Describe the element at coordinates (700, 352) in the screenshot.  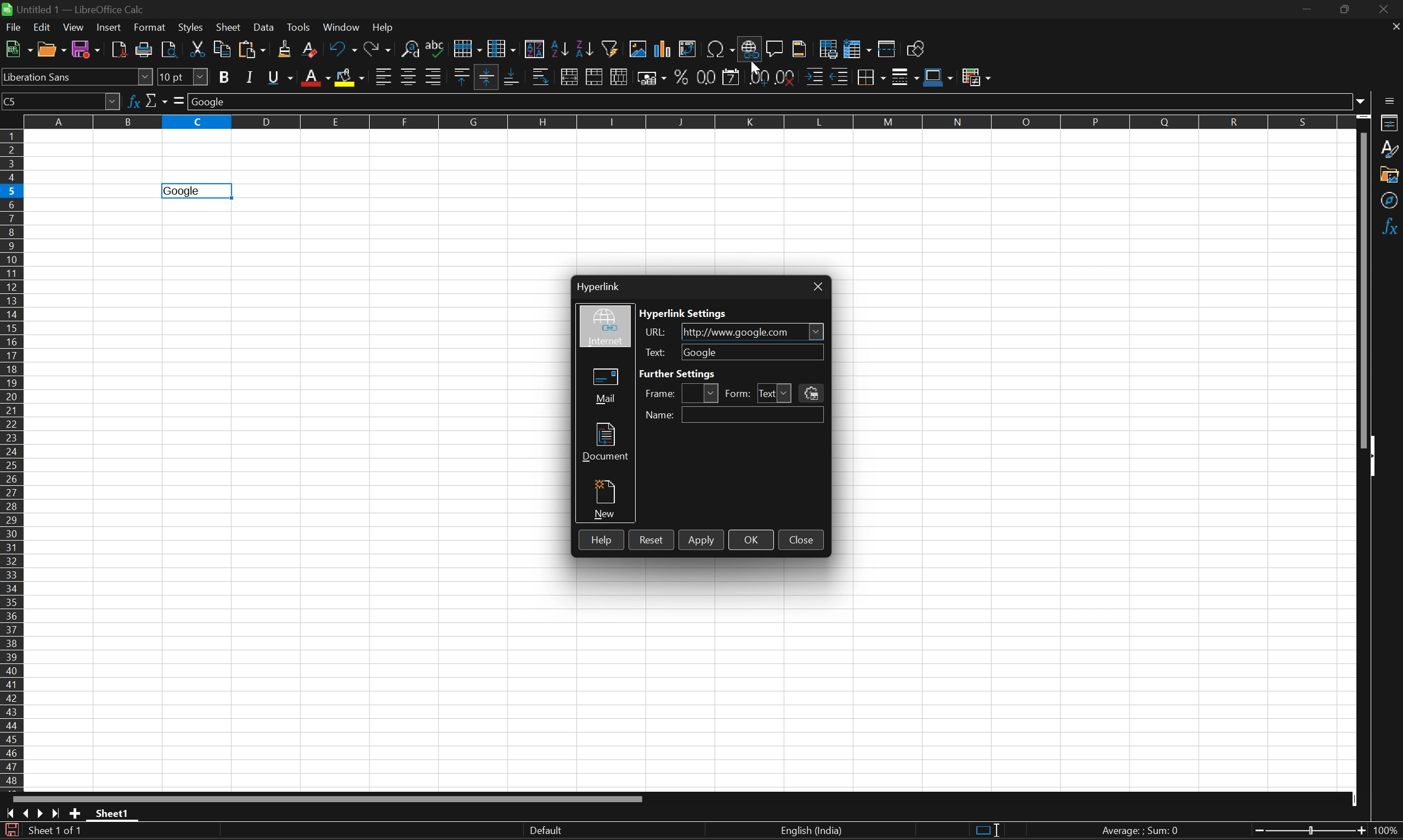
I see `Google` at that location.